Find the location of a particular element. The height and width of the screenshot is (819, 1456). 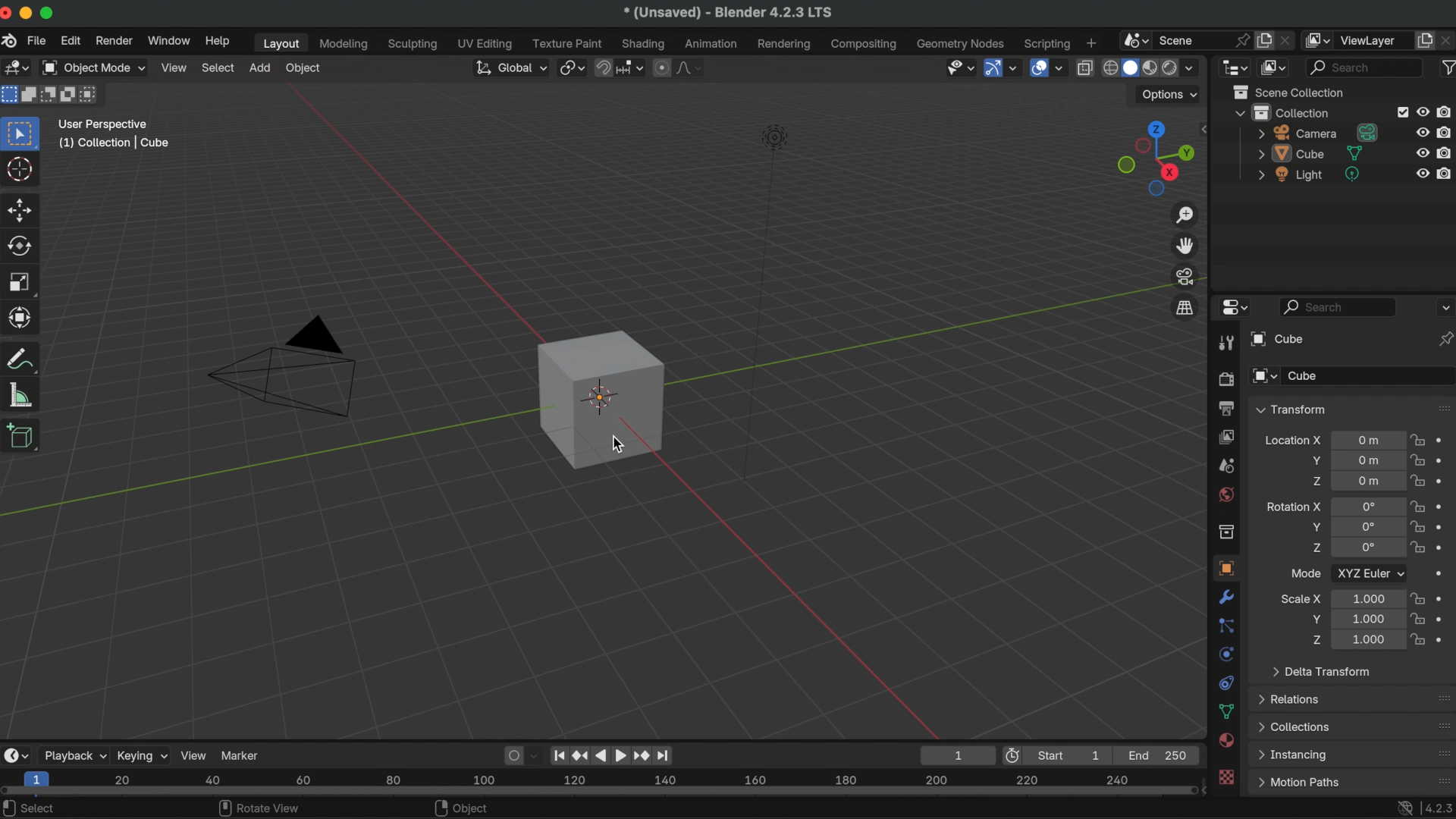

rotation X is located at coordinates (1293, 504).